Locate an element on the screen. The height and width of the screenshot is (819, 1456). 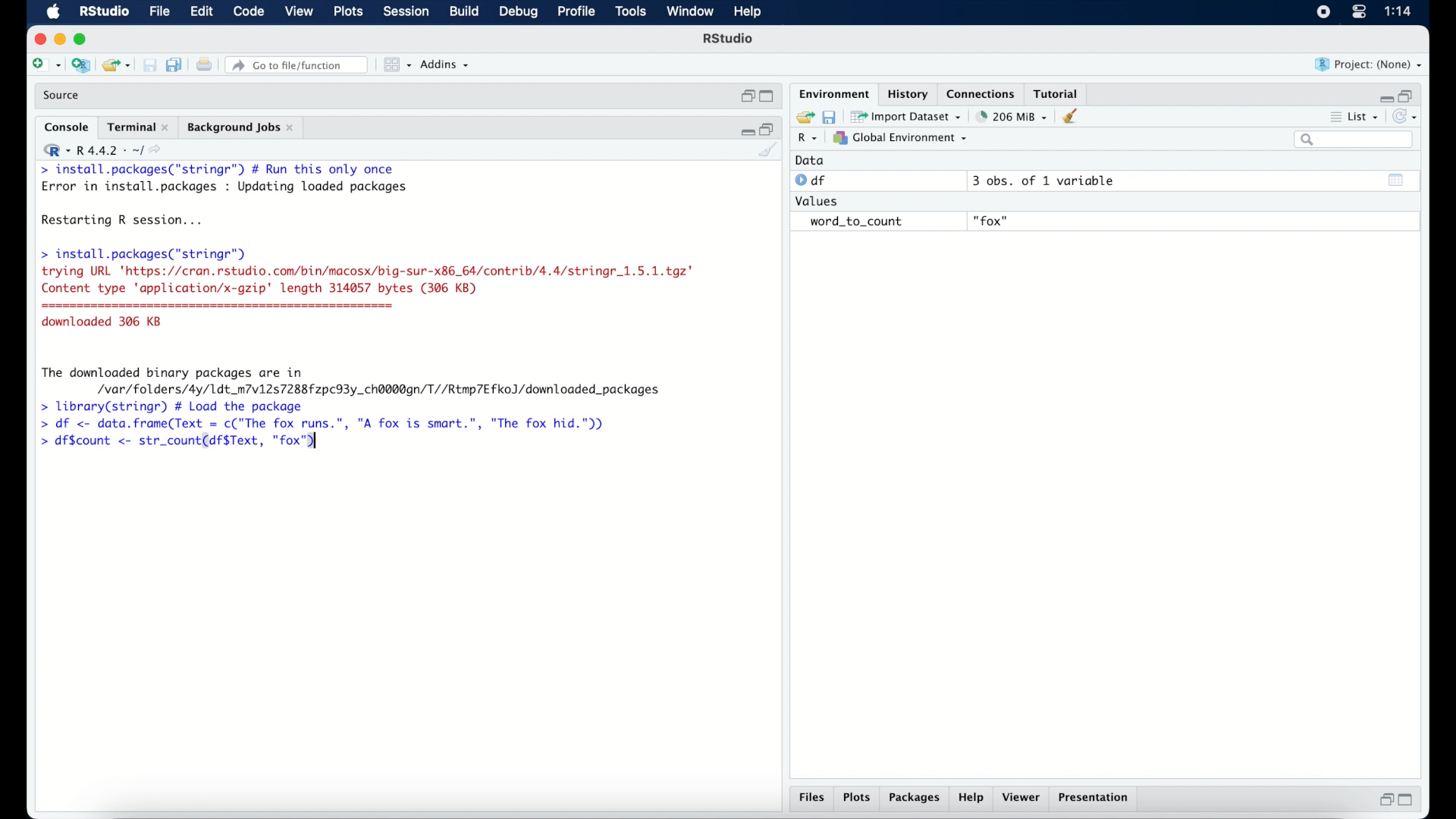
save all document is located at coordinates (177, 66).